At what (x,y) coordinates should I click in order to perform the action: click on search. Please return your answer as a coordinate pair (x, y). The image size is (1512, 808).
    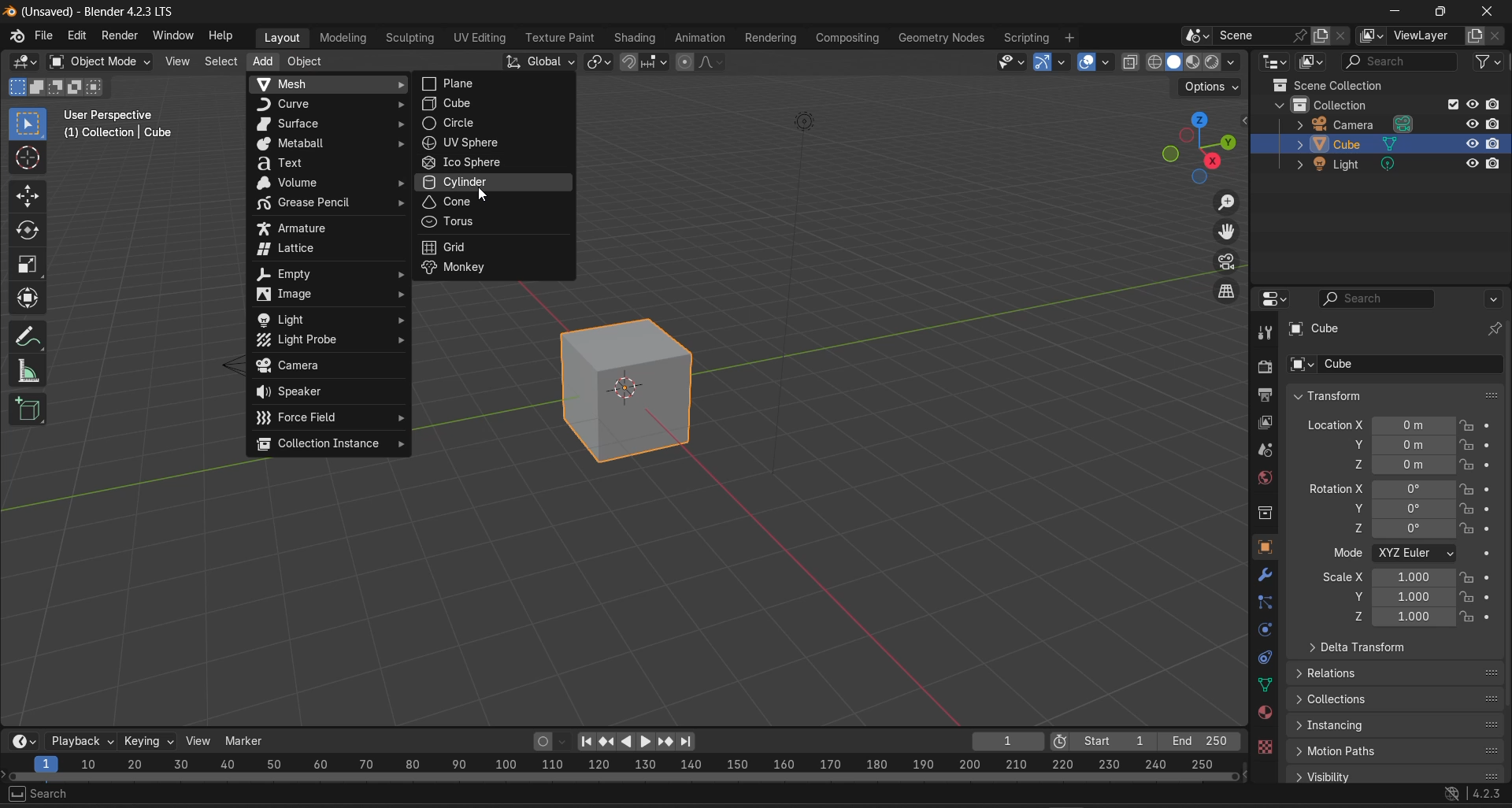
    Looking at the image, I should click on (43, 795).